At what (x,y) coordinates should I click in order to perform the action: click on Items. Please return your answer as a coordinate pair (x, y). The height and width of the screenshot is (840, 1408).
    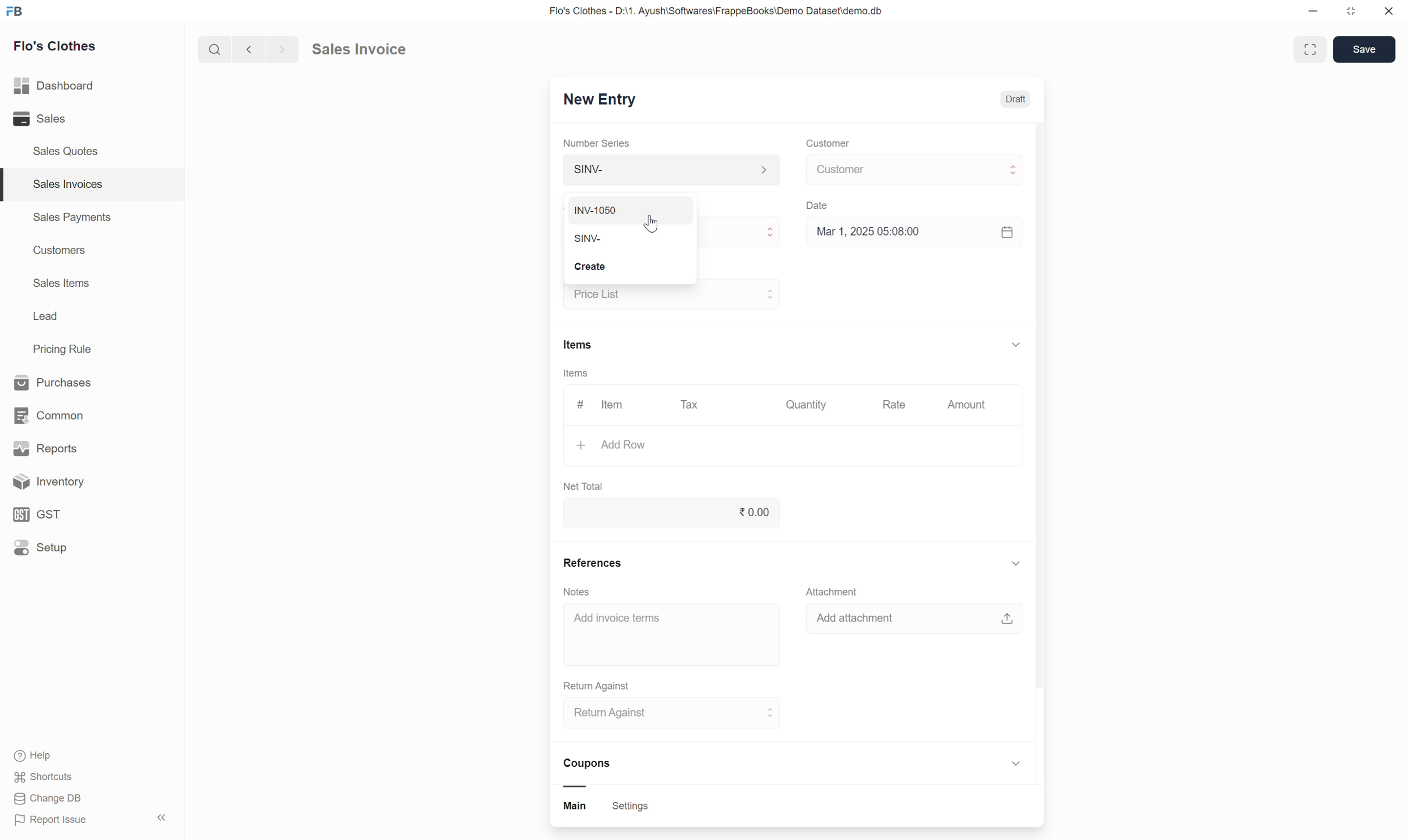
    Looking at the image, I should click on (577, 344).